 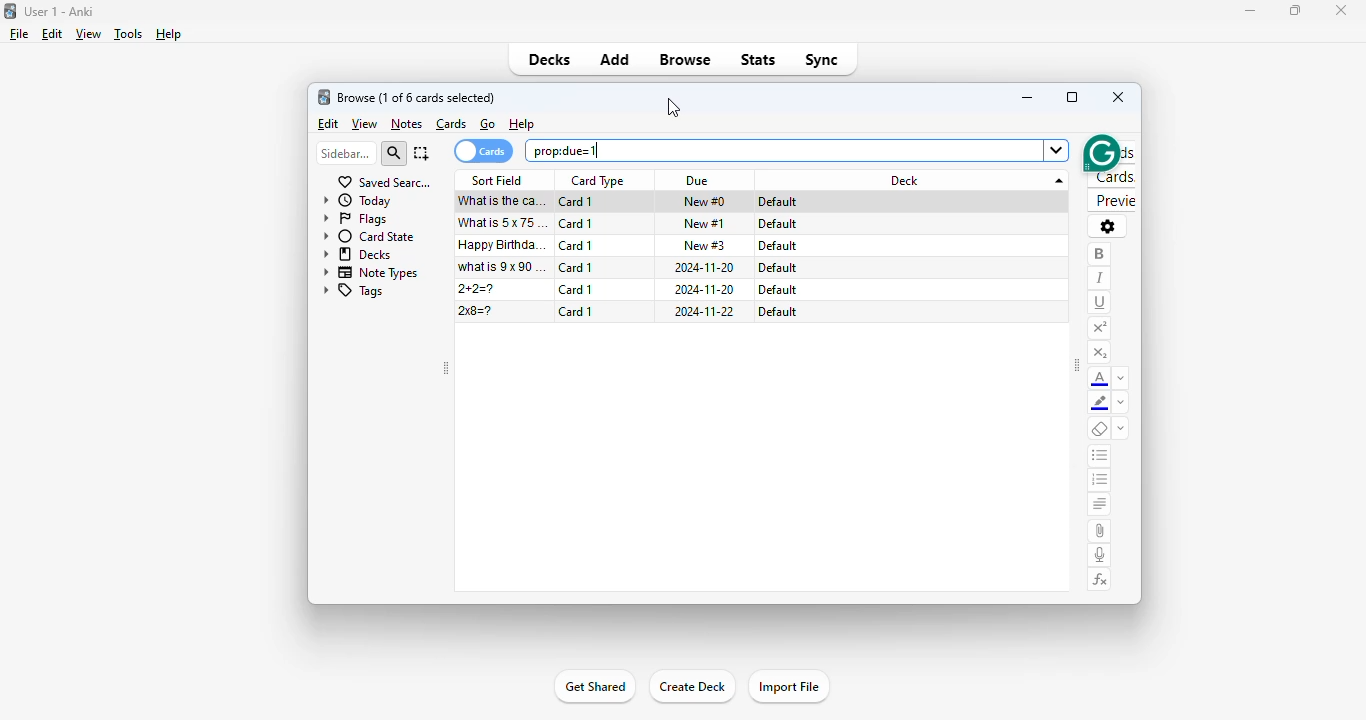 What do you see at coordinates (615, 59) in the screenshot?
I see `add` at bounding box center [615, 59].